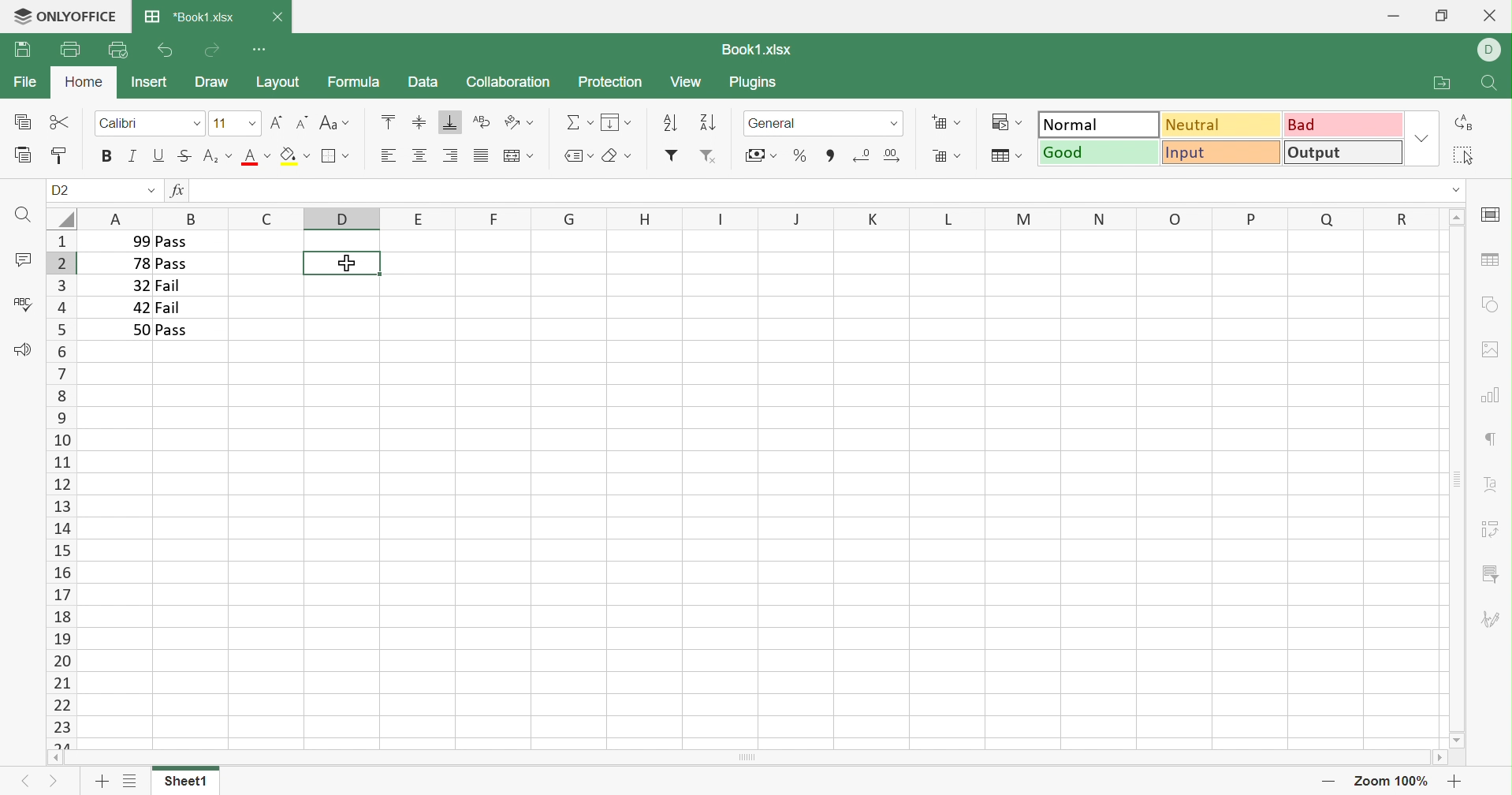 This screenshot has height=795, width=1512. Describe the element at coordinates (1224, 153) in the screenshot. I see `Input` at that location.